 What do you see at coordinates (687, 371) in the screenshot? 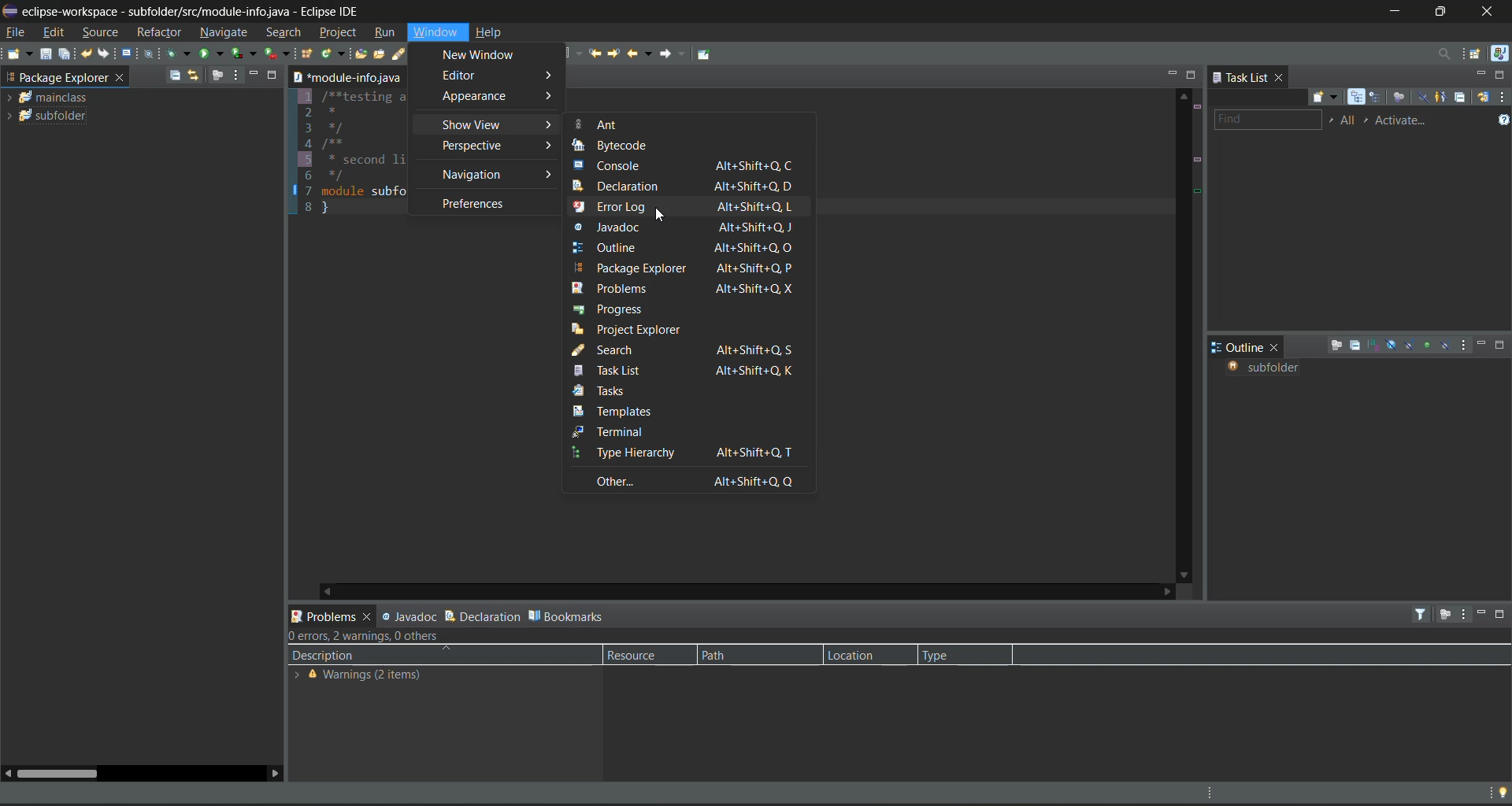
I see `task list` at bounding box center [687, 371].